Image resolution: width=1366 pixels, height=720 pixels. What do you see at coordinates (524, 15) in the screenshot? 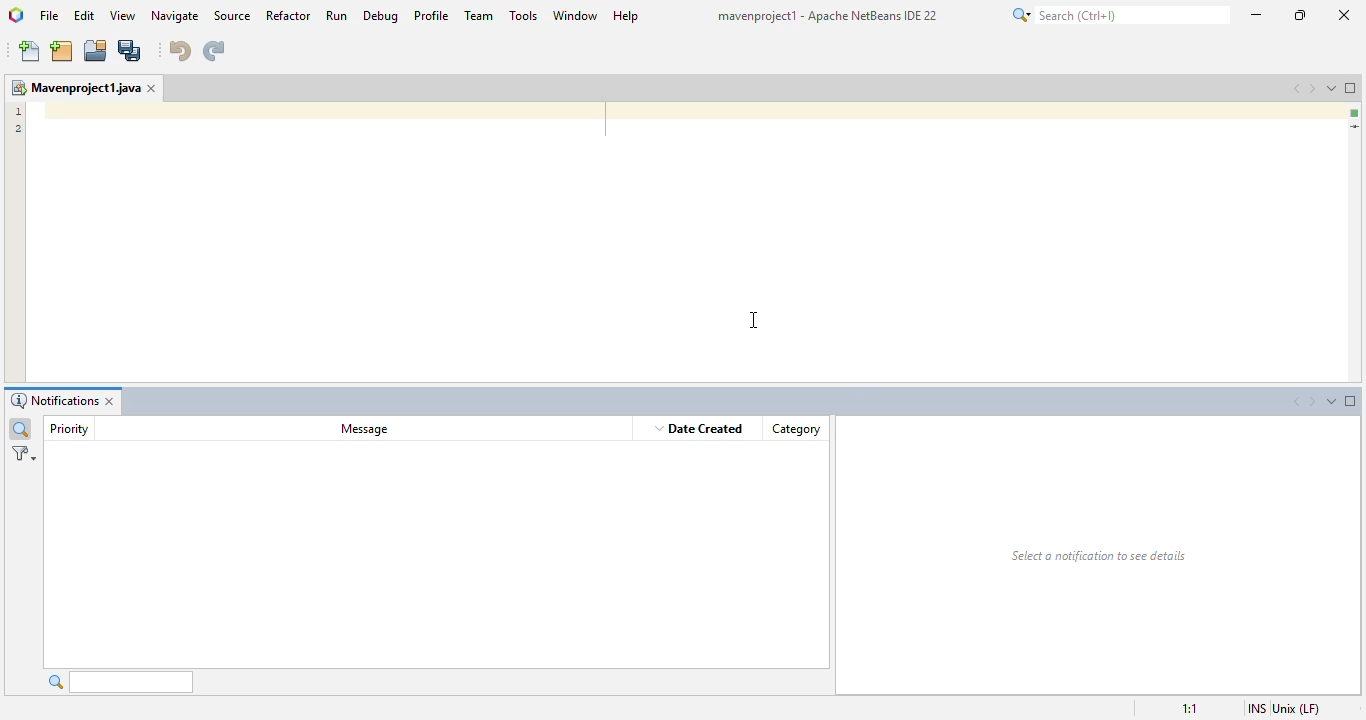
I see `tools` at bounding box center [524, 15].